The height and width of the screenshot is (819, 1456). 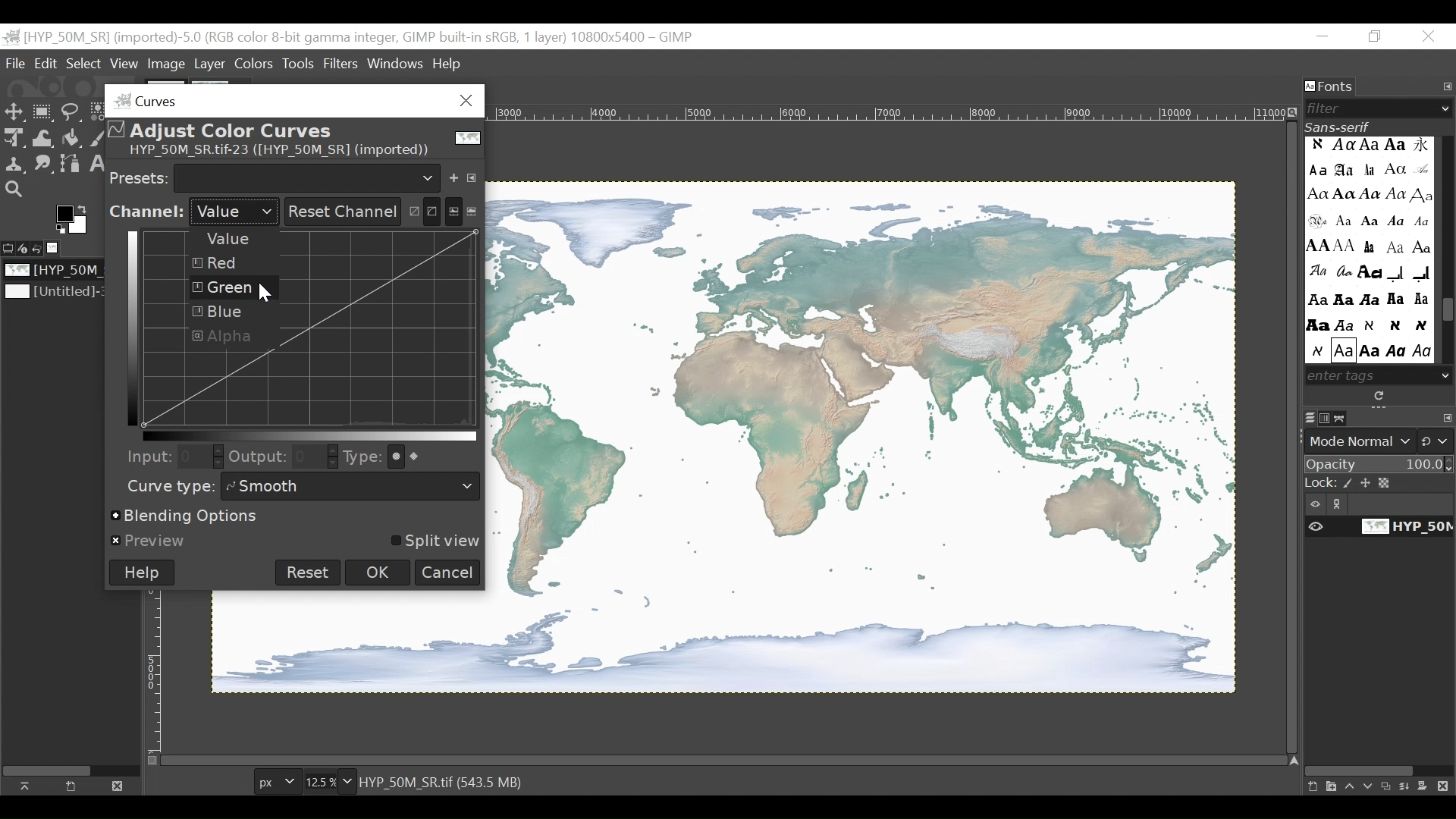 What do you see at coordinates (83, 64) in the screenshot?
I see `Select` at bounding box center [83, 64].